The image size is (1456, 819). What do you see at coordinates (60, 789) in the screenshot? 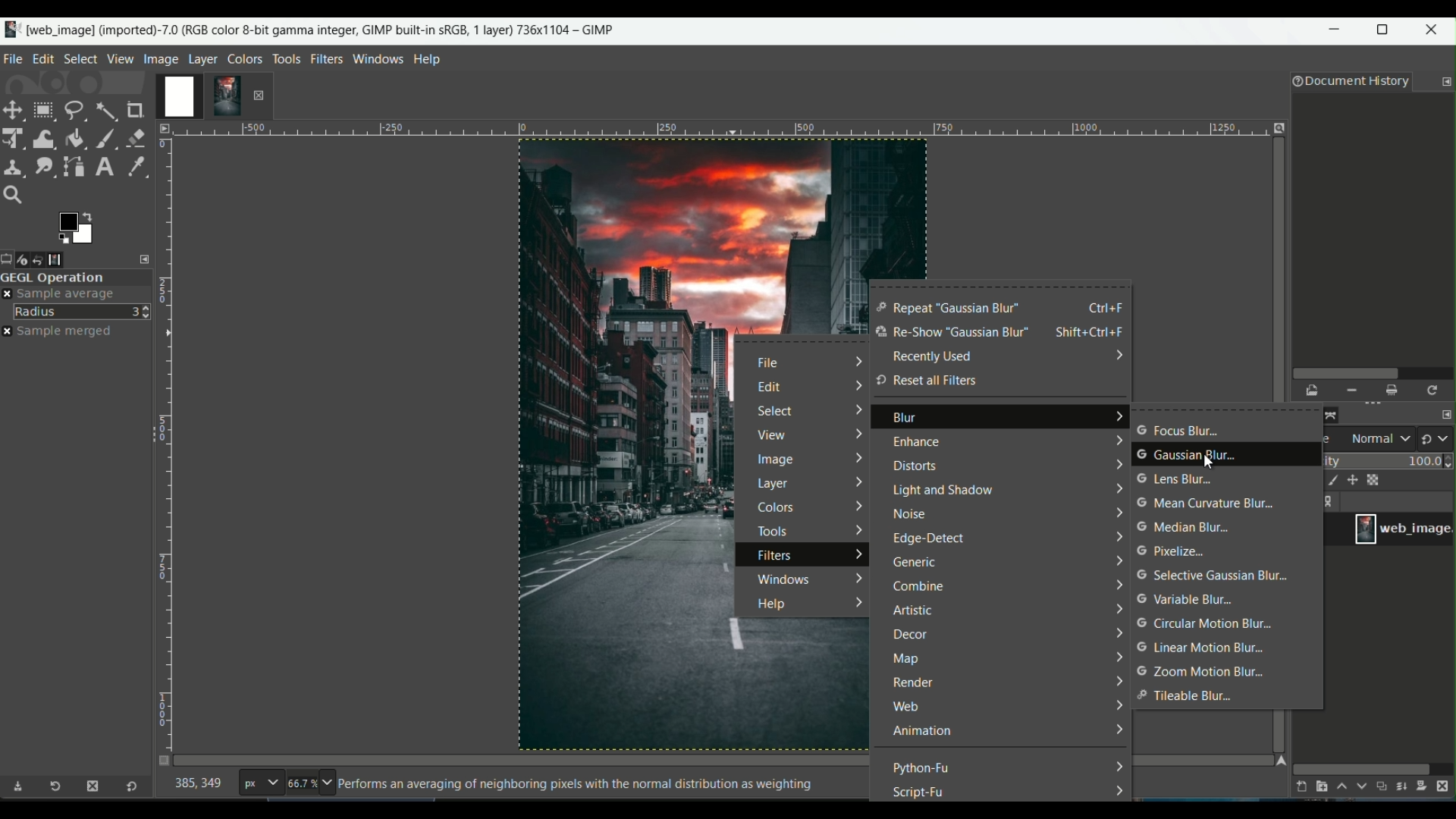
I see `restore tool preset` at bounding box center [60, 789].